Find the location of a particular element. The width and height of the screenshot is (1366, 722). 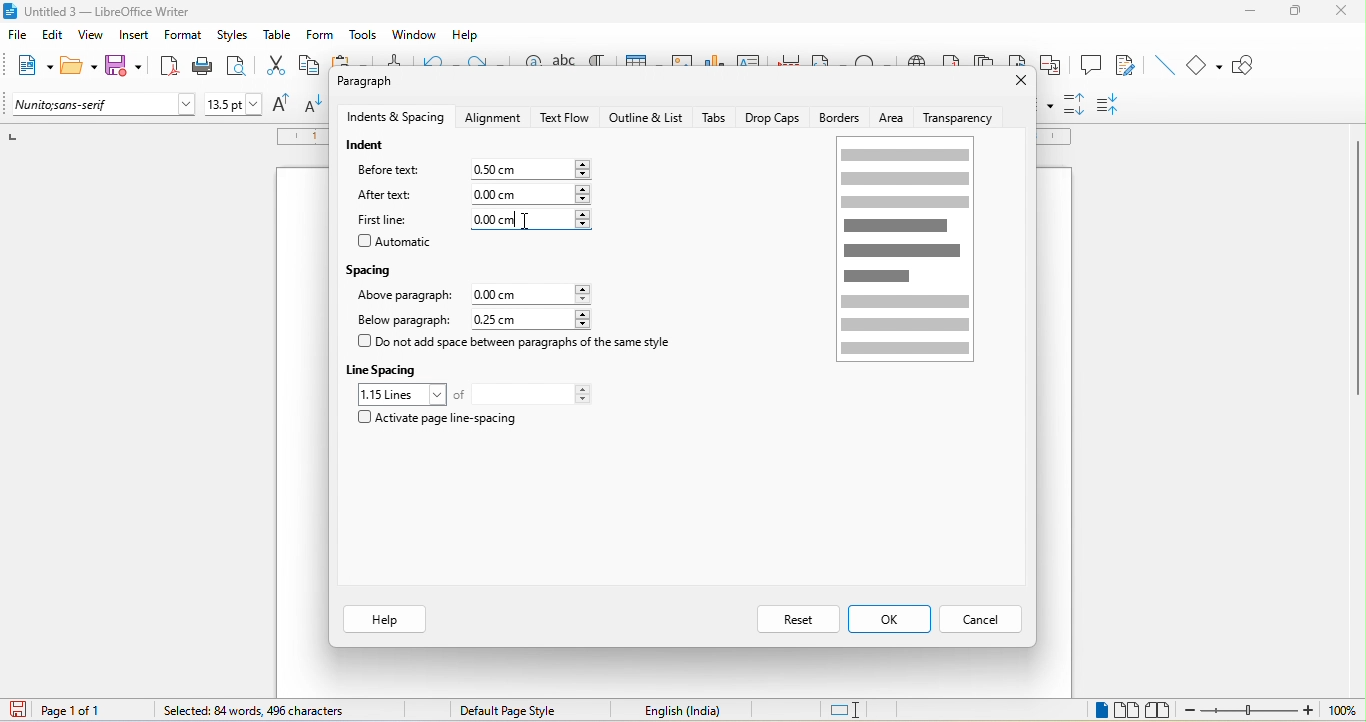

multiple page view is located at coordinates (1127, 711).